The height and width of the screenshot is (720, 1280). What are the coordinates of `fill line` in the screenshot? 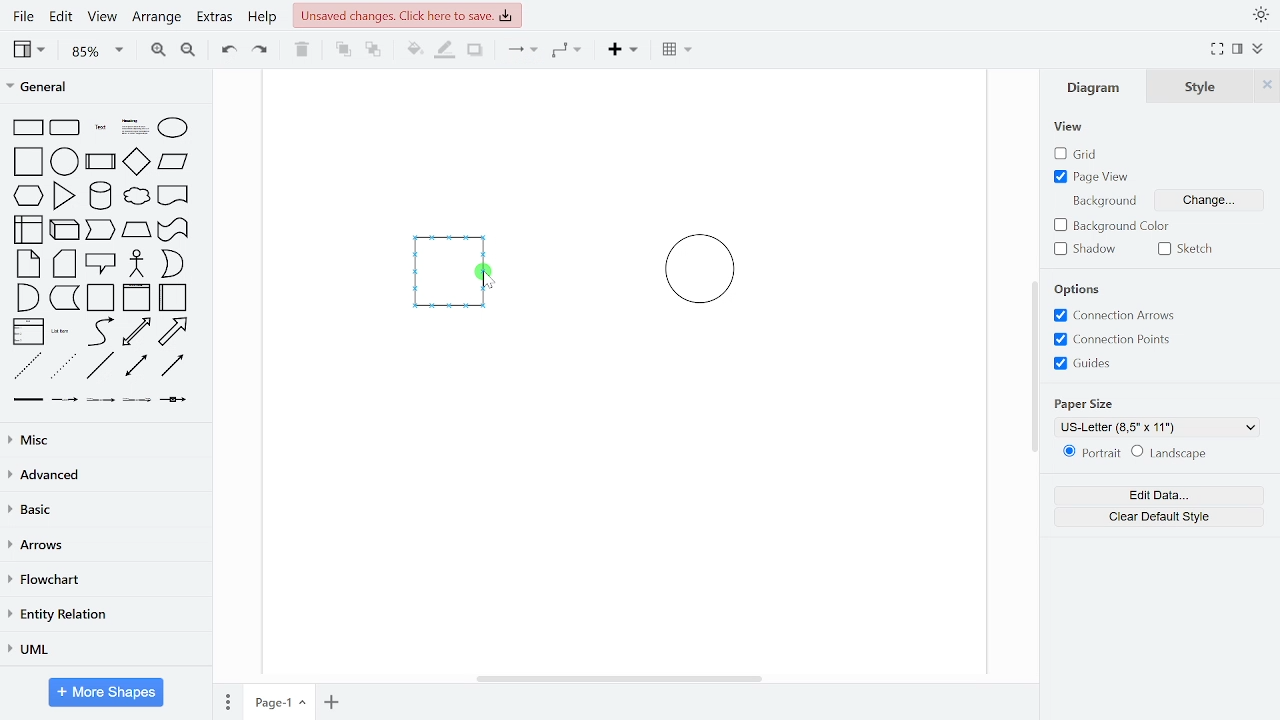 It's located at (444, 50).